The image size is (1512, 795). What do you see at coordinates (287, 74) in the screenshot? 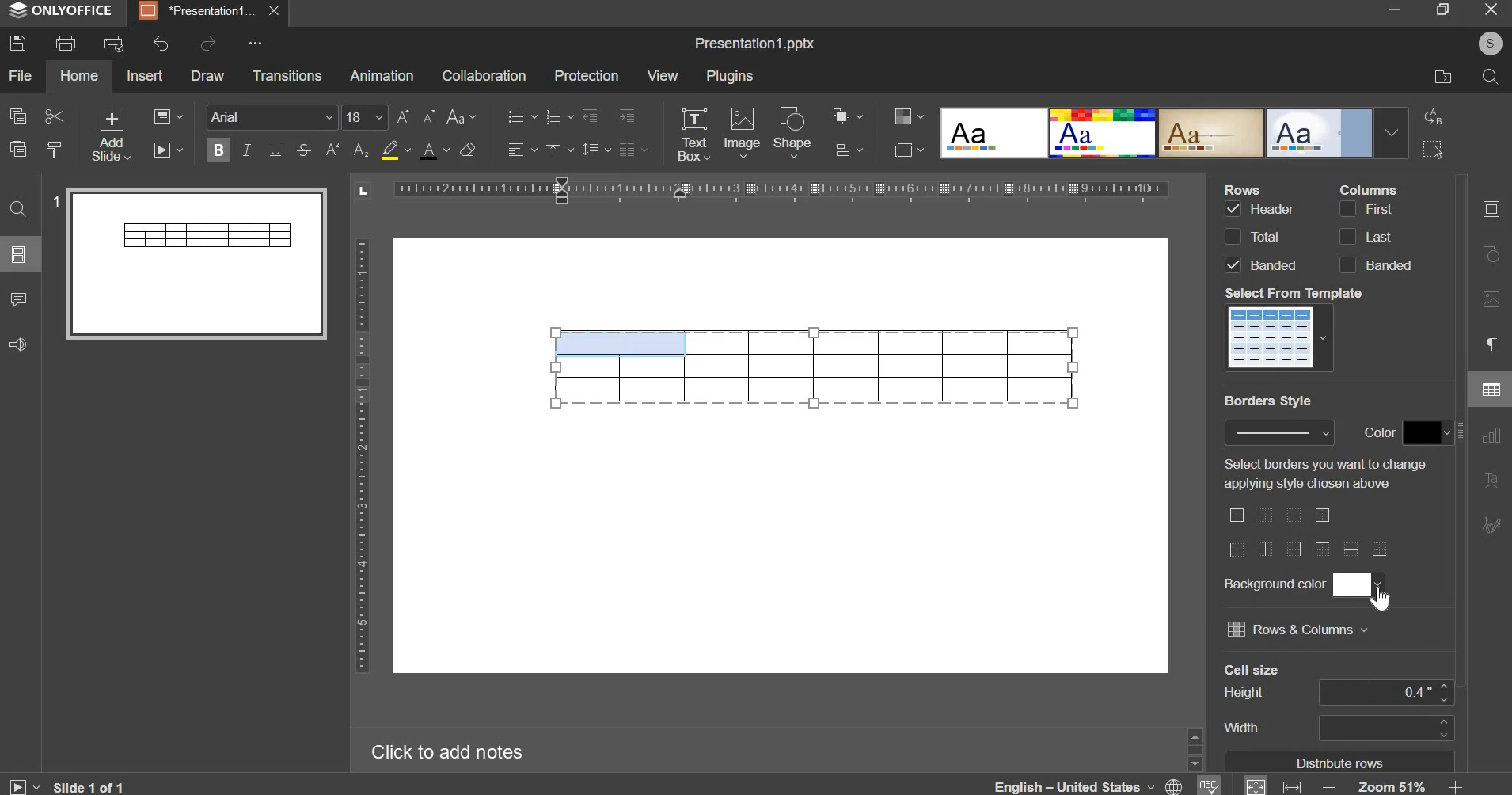
I see `transitions` at bounding box center [287, 74].